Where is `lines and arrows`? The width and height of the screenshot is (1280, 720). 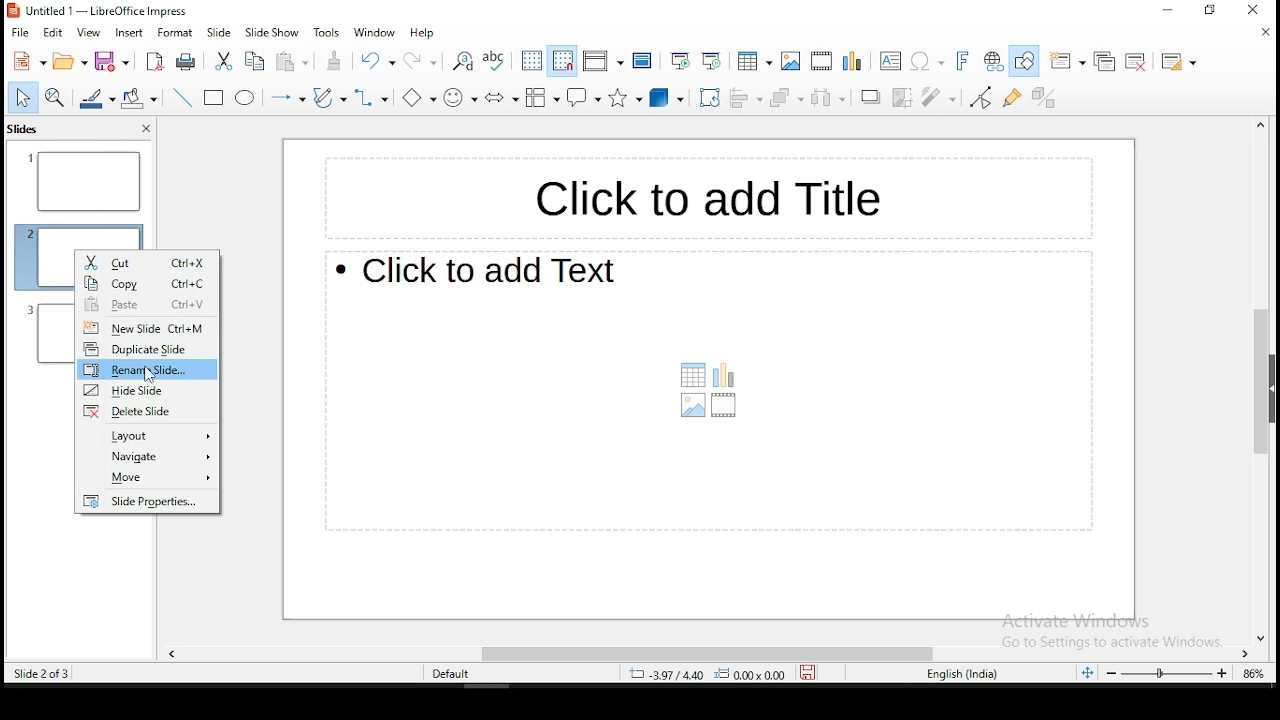 lines and arrows is located at coordinates (286, 96).